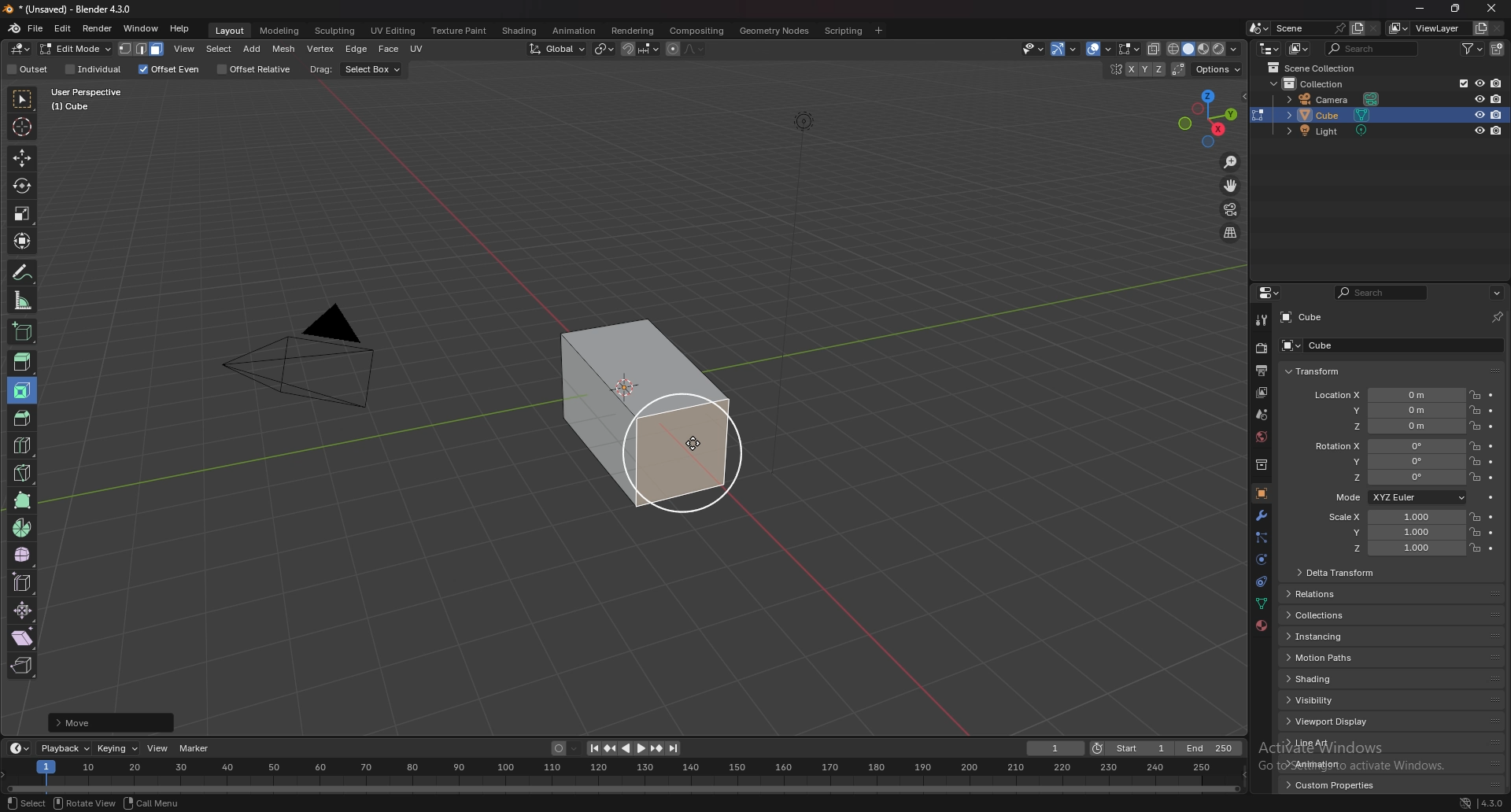 The height and width of the screenshot is (812, 1511). What do you see at coordinates (24, 555) in the screenshot?
I see `smooth` at bounding box center [24, 555].